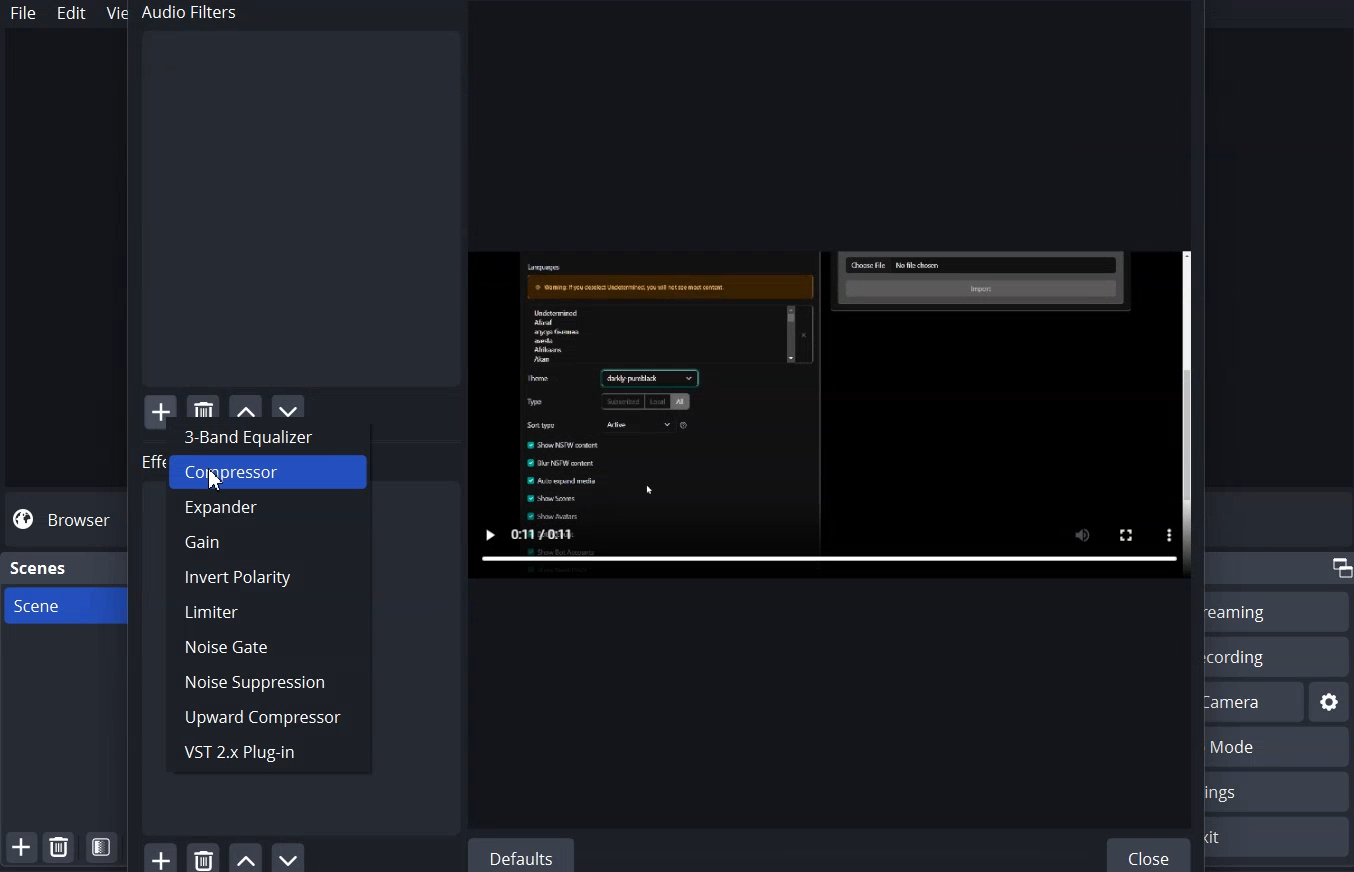 The image size is (1354, 872). I want to click on Open Scene Filter, so click(101, 847).